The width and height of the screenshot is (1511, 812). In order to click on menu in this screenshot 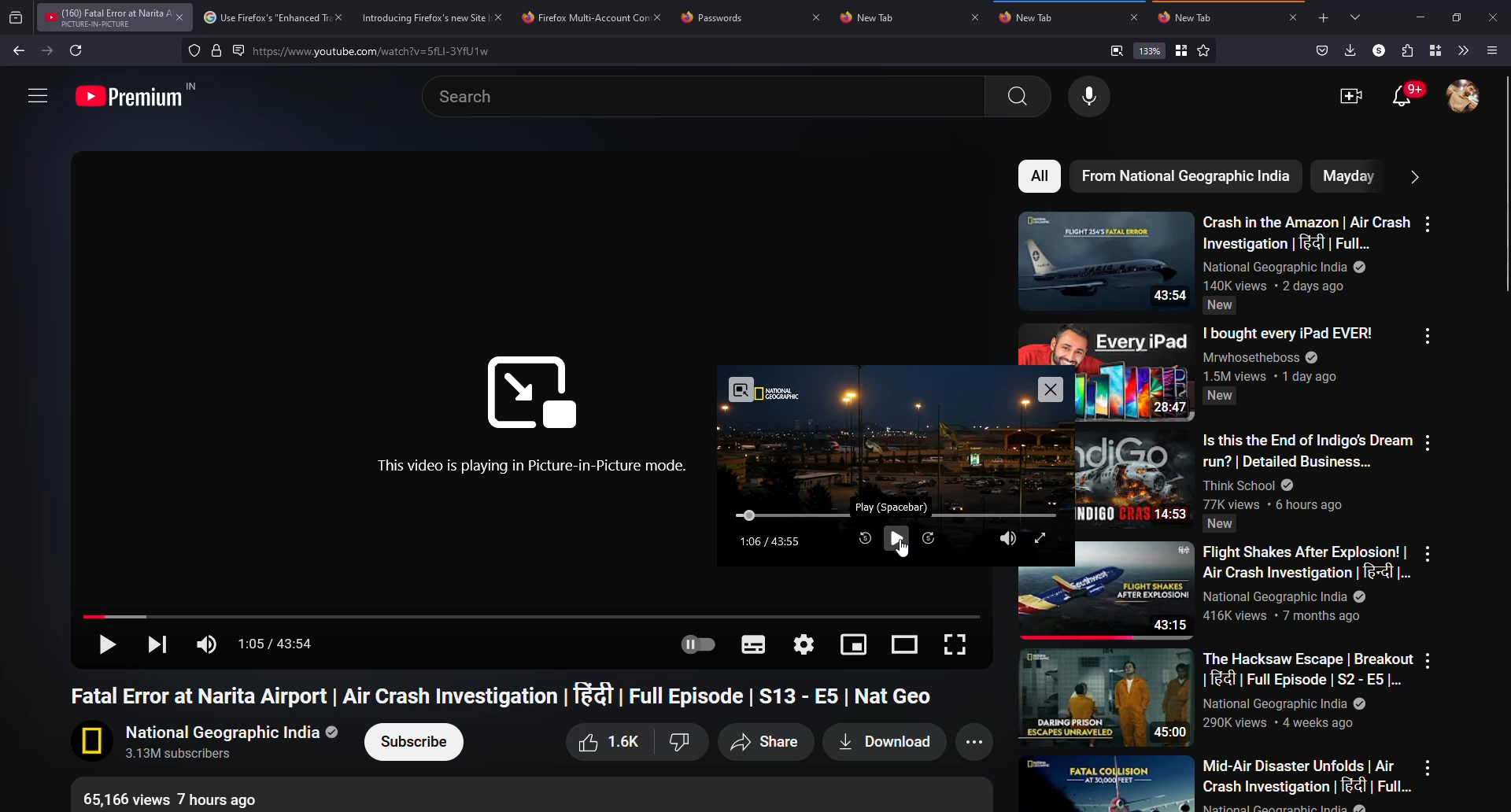, I will do `click(1494, 50)`.